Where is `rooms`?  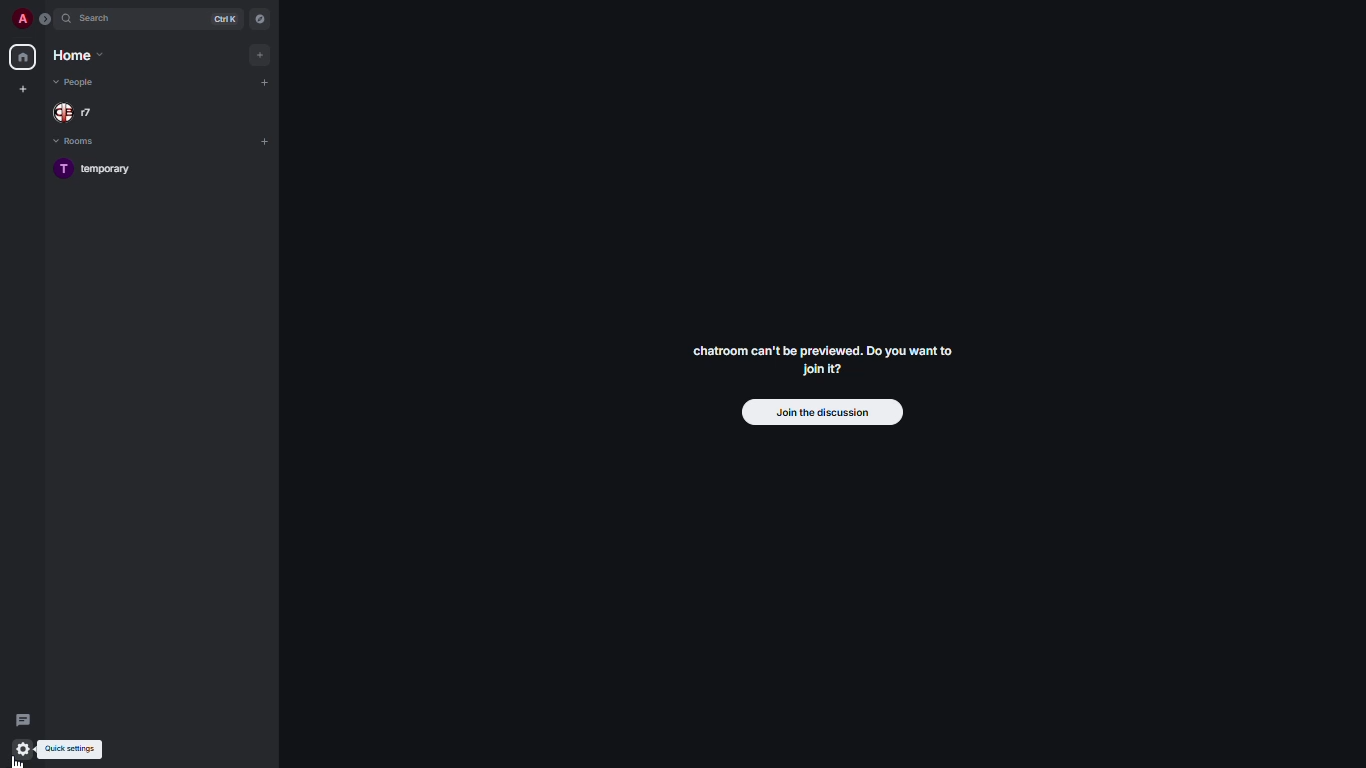
rooms is located at coordinates (83, 140).